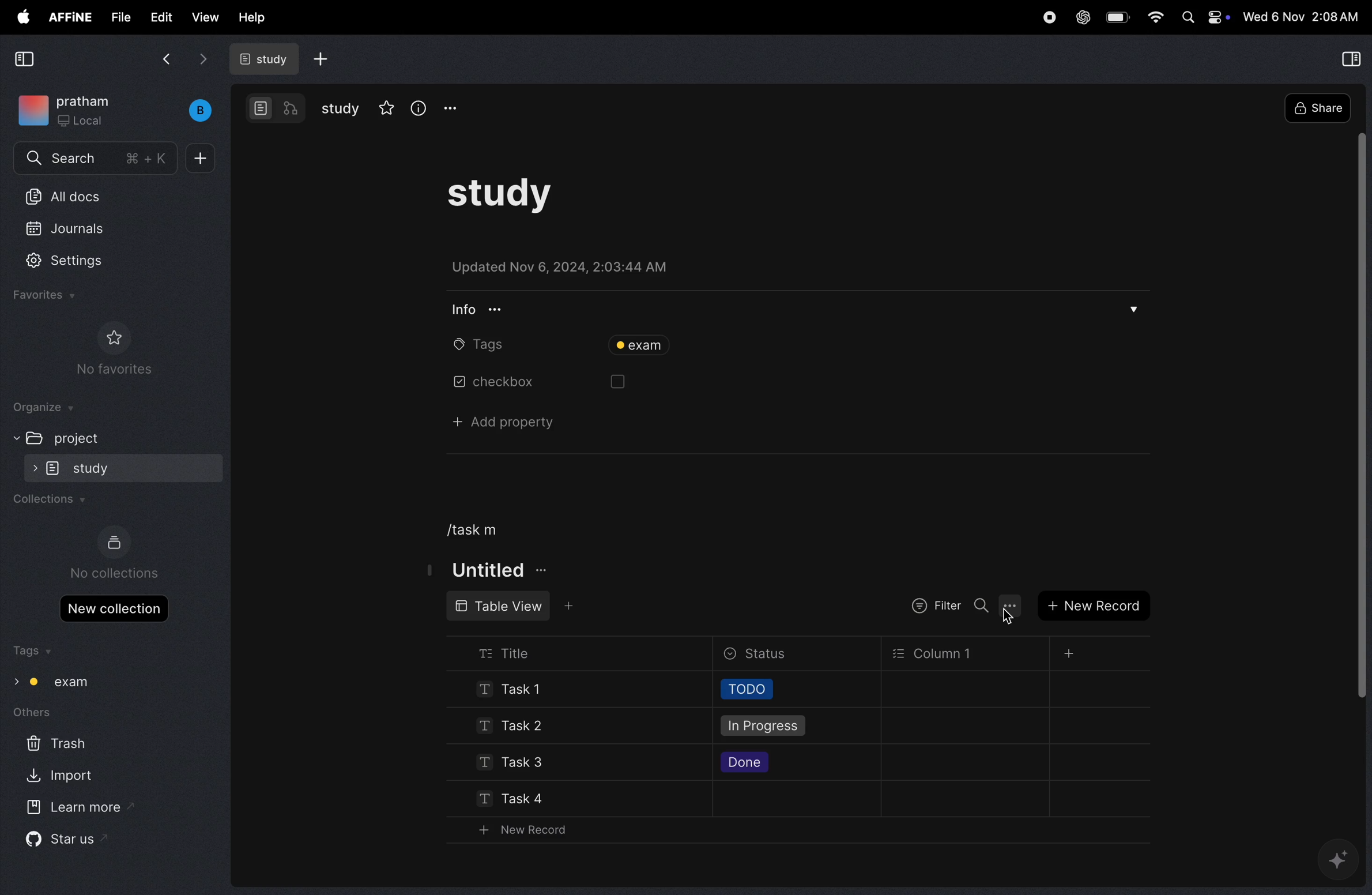 The width and height of the screenshot is (1372, 895). I want to click on study doc, so click(269, 60).